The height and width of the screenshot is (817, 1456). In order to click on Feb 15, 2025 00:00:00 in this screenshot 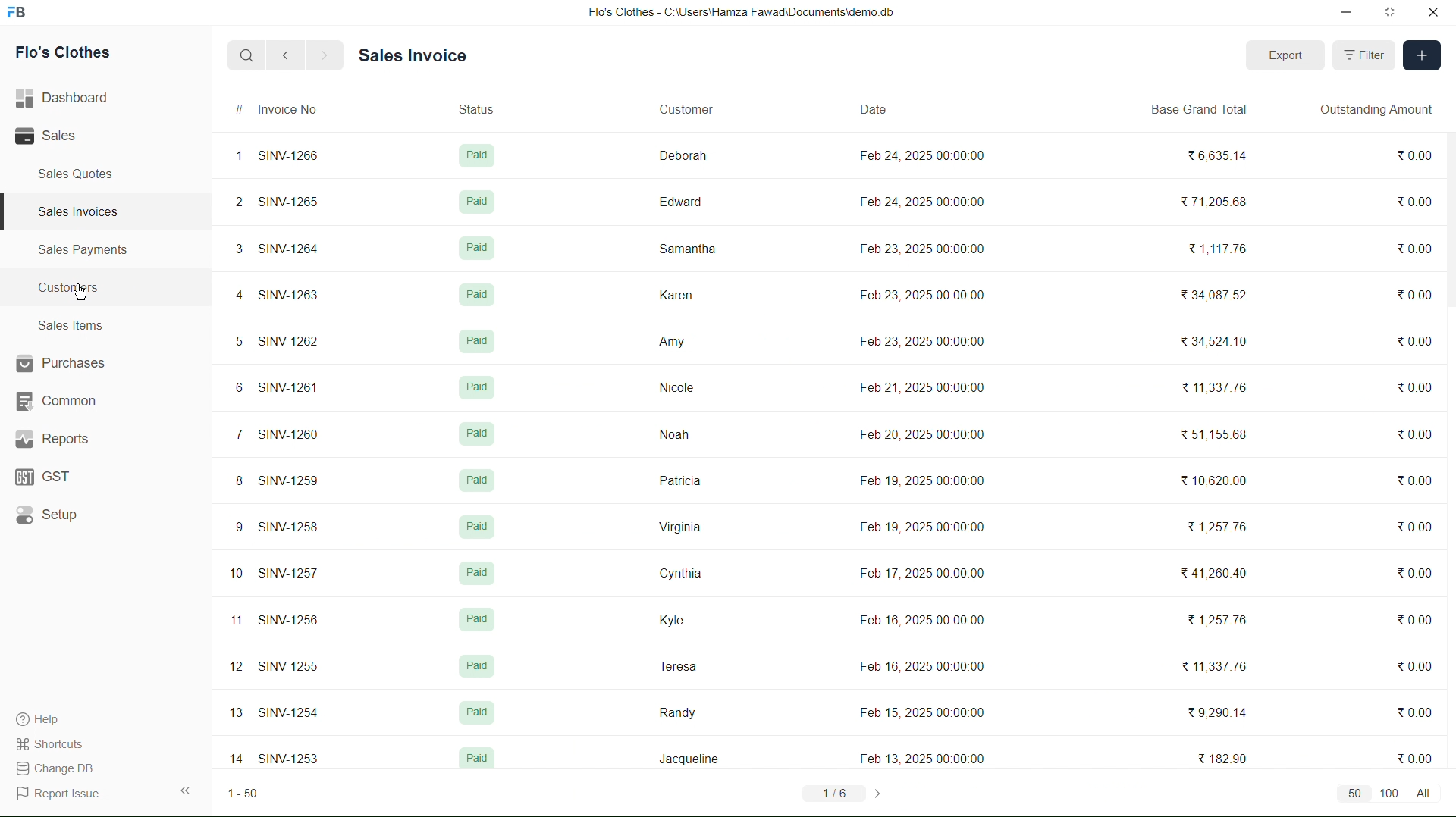, I will do `click(918, 709)`.